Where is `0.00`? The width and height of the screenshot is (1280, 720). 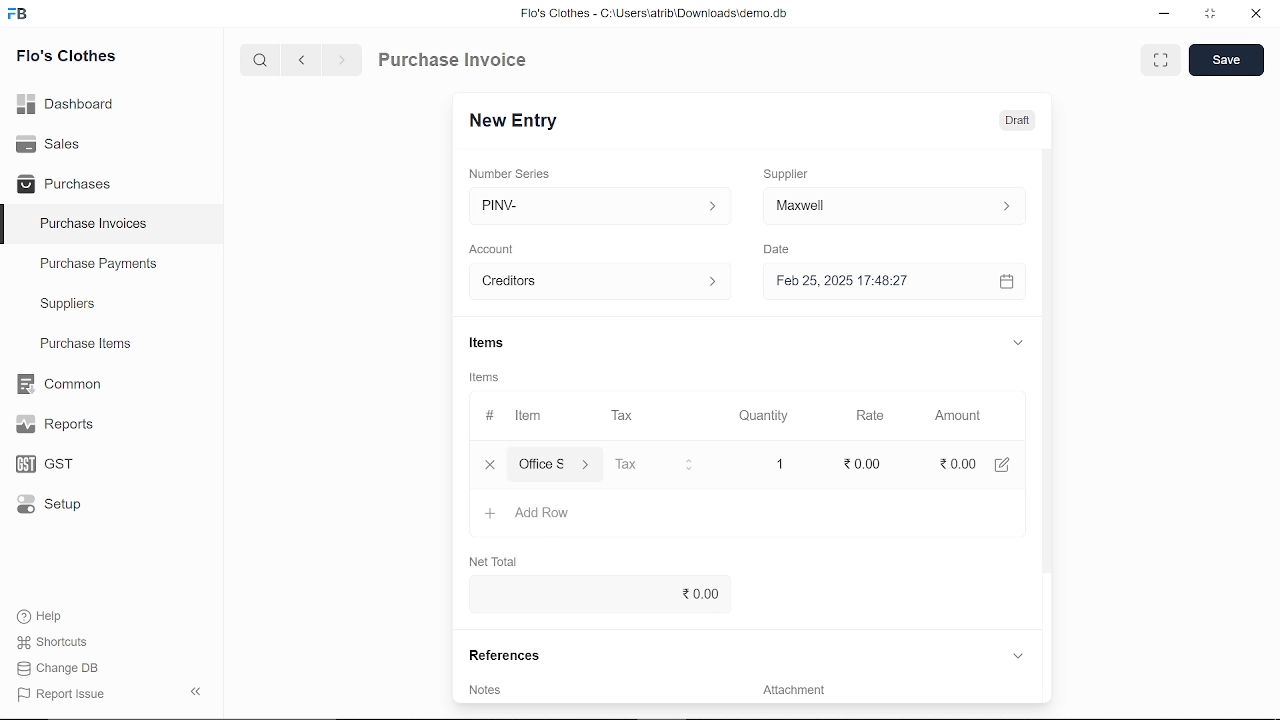
0.00 is located at coordinates (594, 594).